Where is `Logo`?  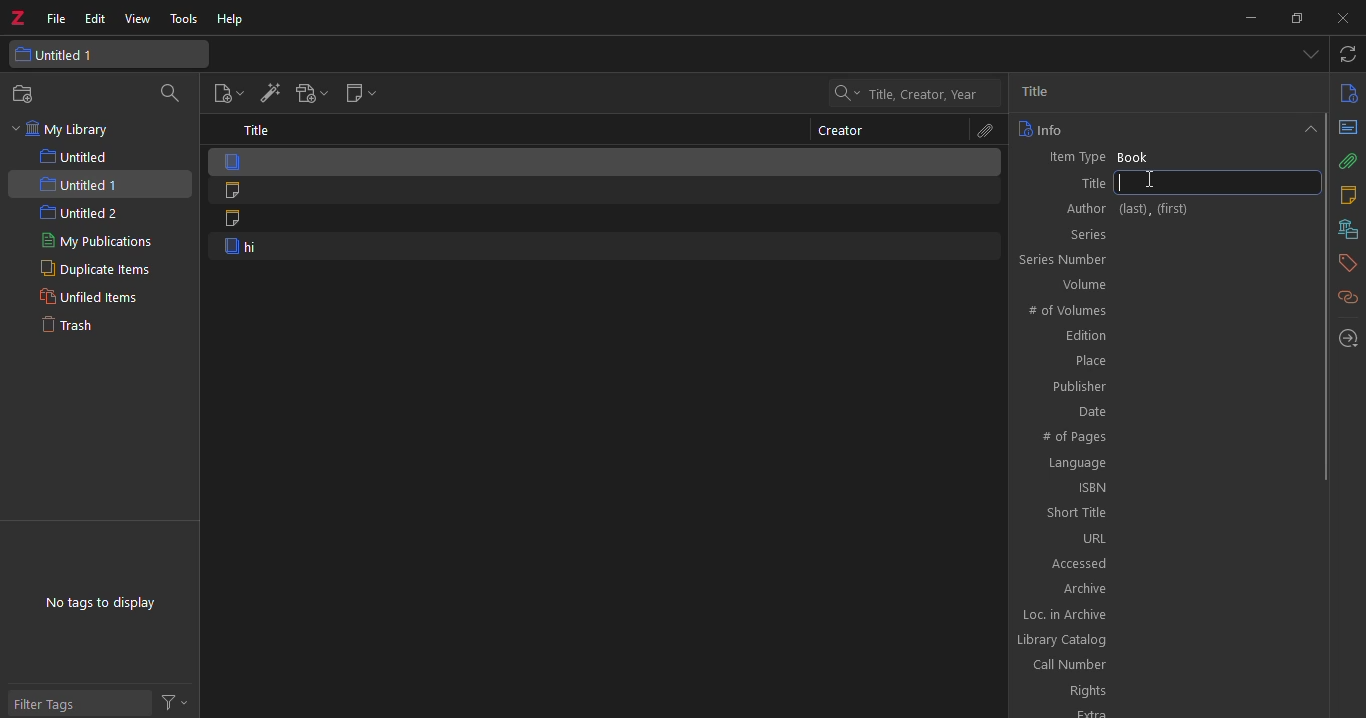 Logo is located at coordinates (17, 14).